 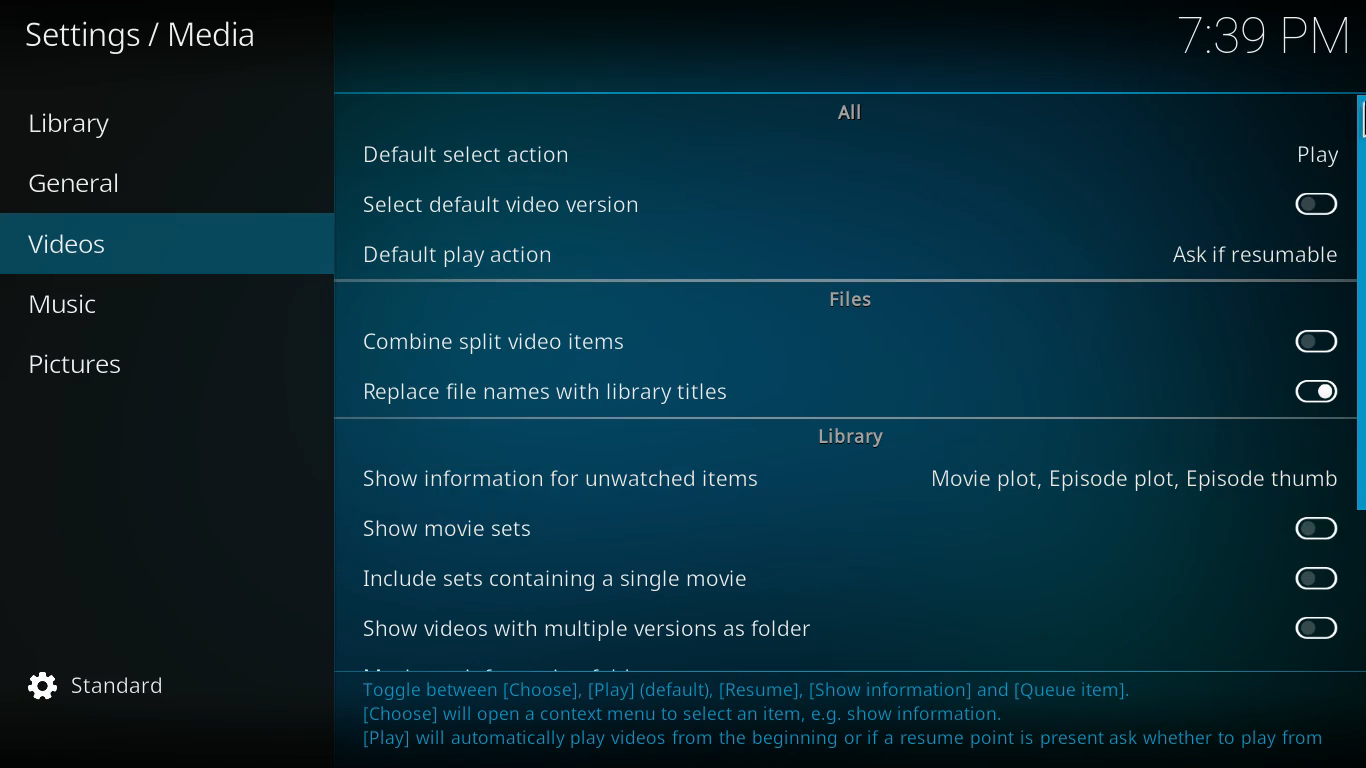 What do you see at coordinates (604, 625) in the screenshot?
I see `show videos` at bounding box center [604, 625].